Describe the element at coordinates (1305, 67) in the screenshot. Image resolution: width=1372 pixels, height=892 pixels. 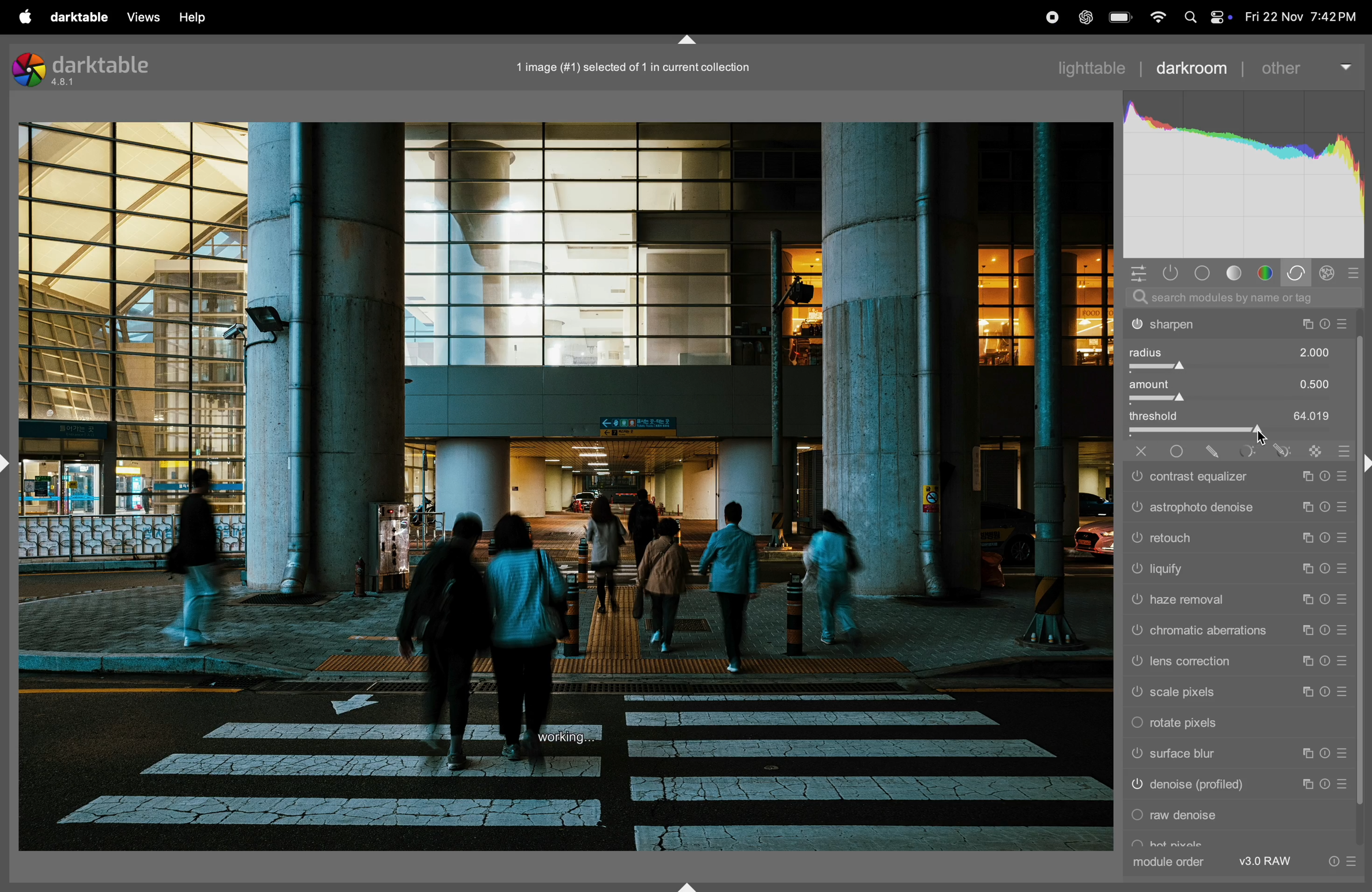
I see `others` at that location.